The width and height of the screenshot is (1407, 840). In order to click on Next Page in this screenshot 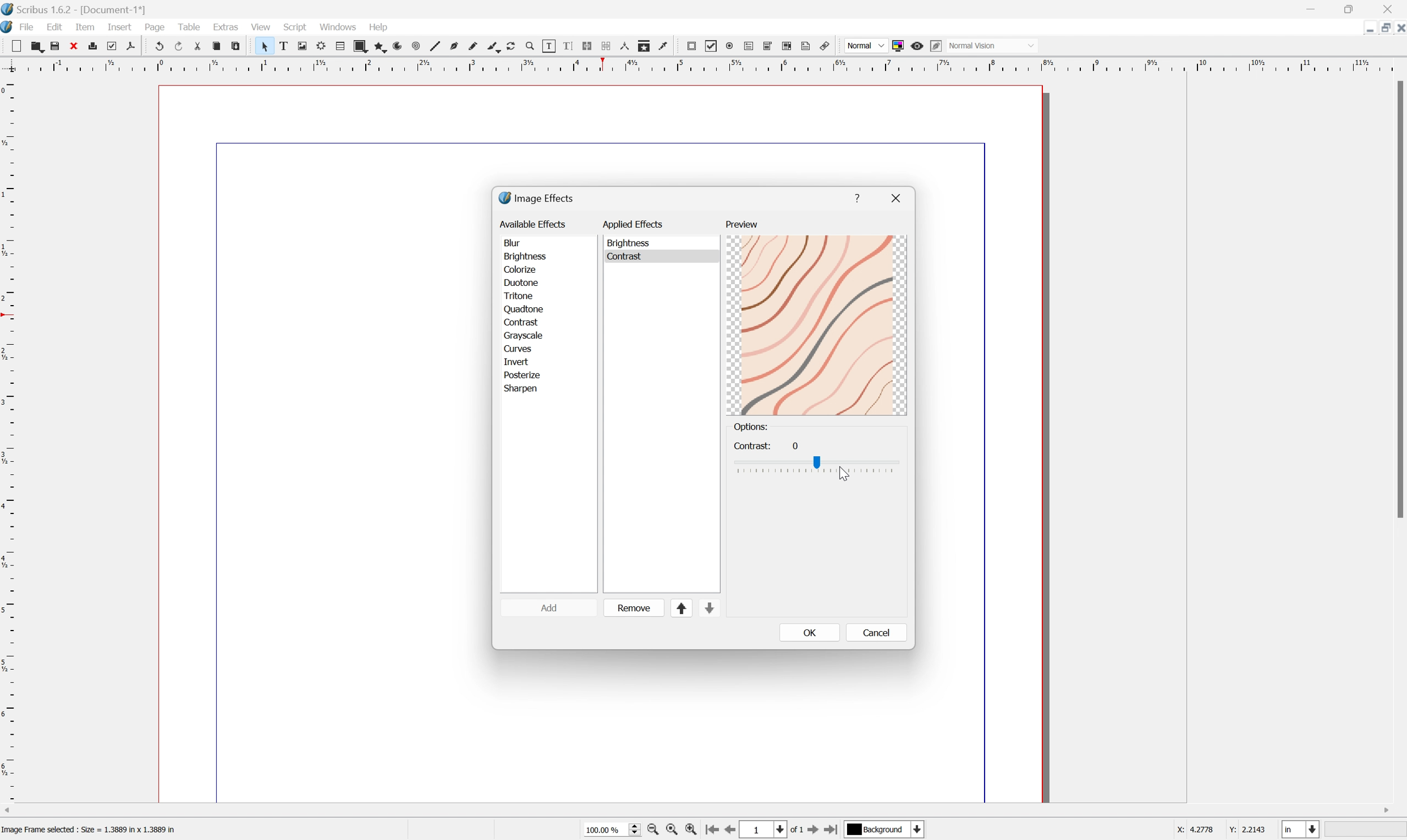, I will do `click(816, 830)`.